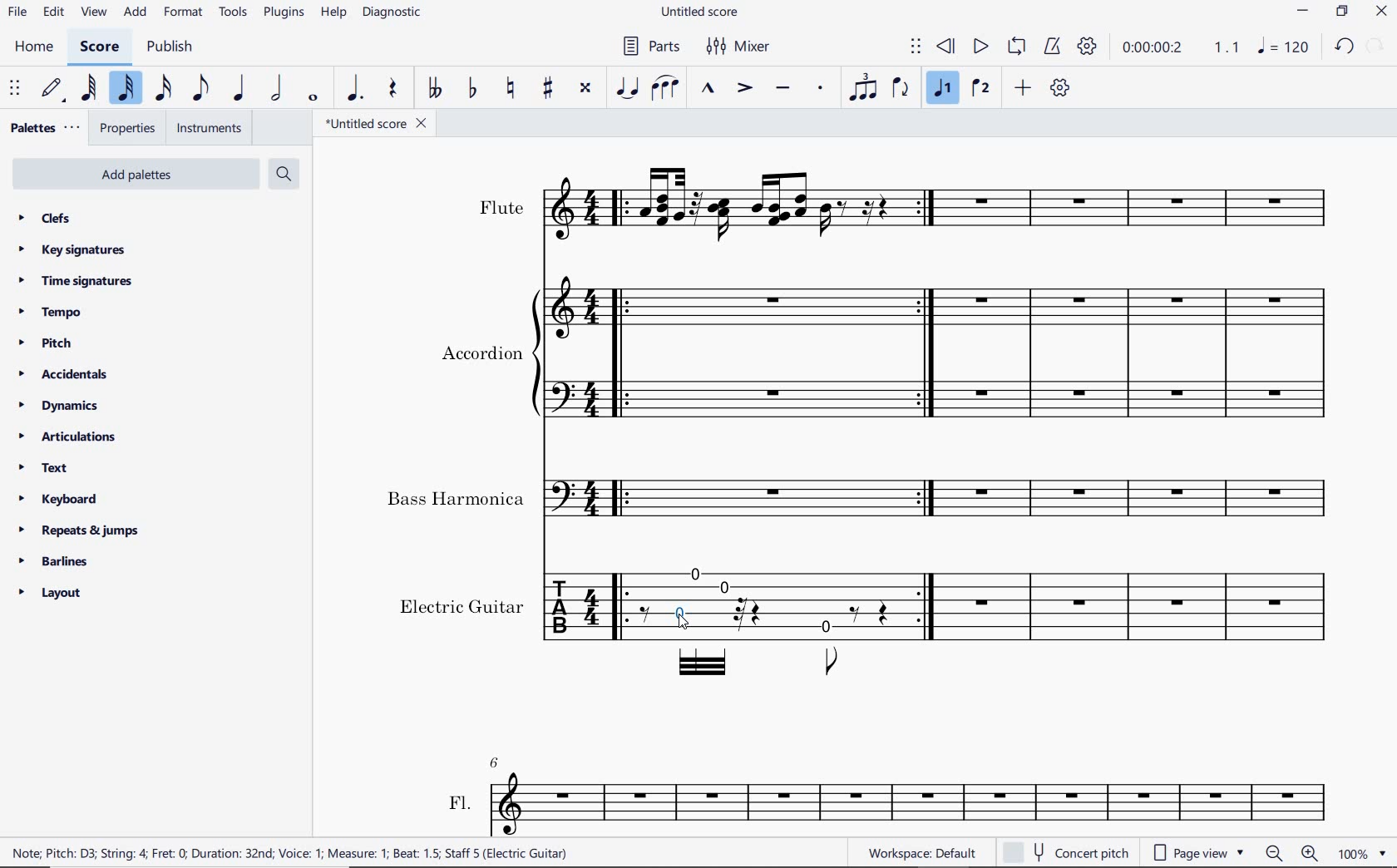  Describe the element at coordinates (239, 89) in the screenshot. I see `quarter note` at that location.